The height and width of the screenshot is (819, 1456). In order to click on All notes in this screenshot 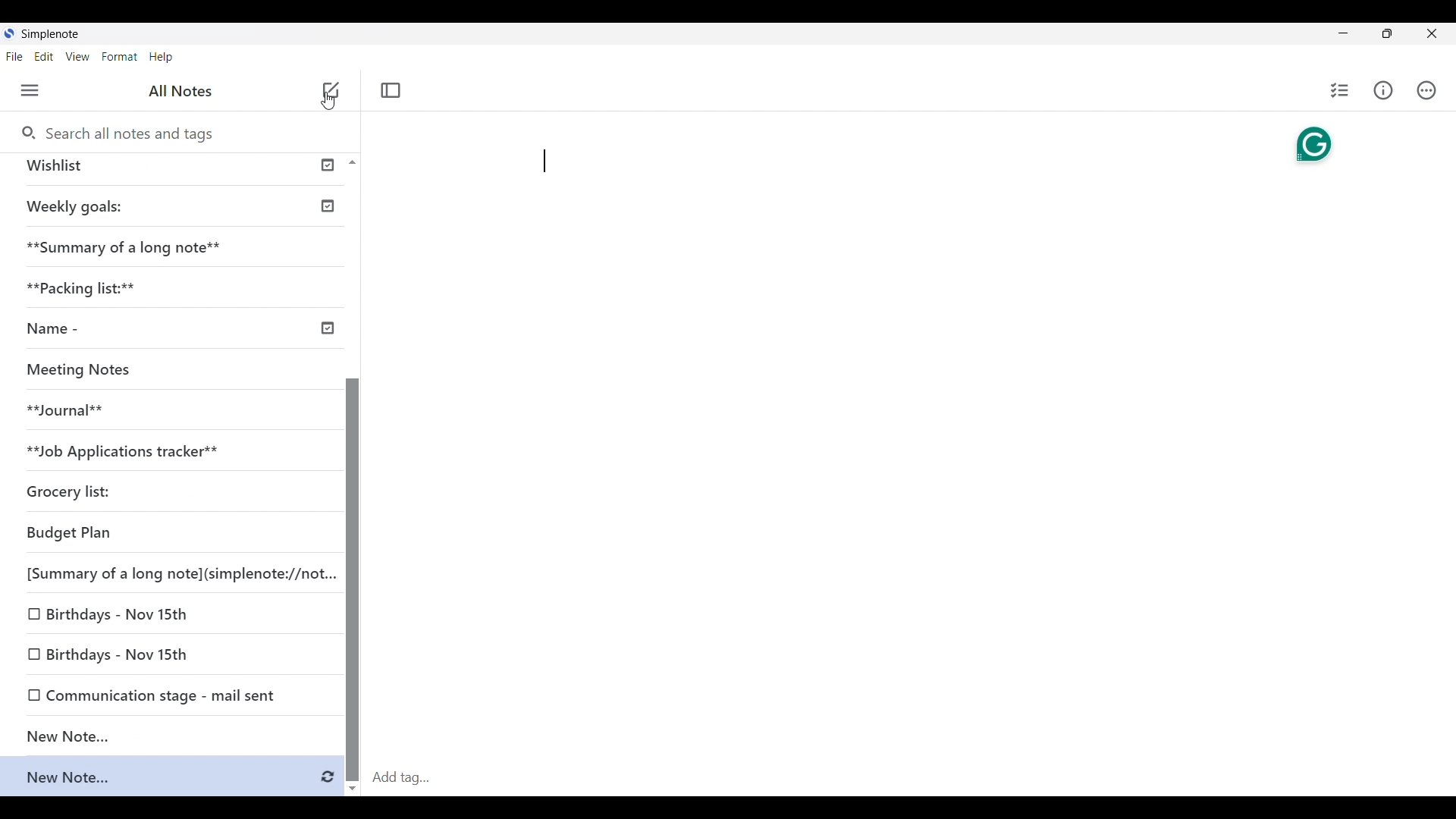, I will do `click(180, 91)`.